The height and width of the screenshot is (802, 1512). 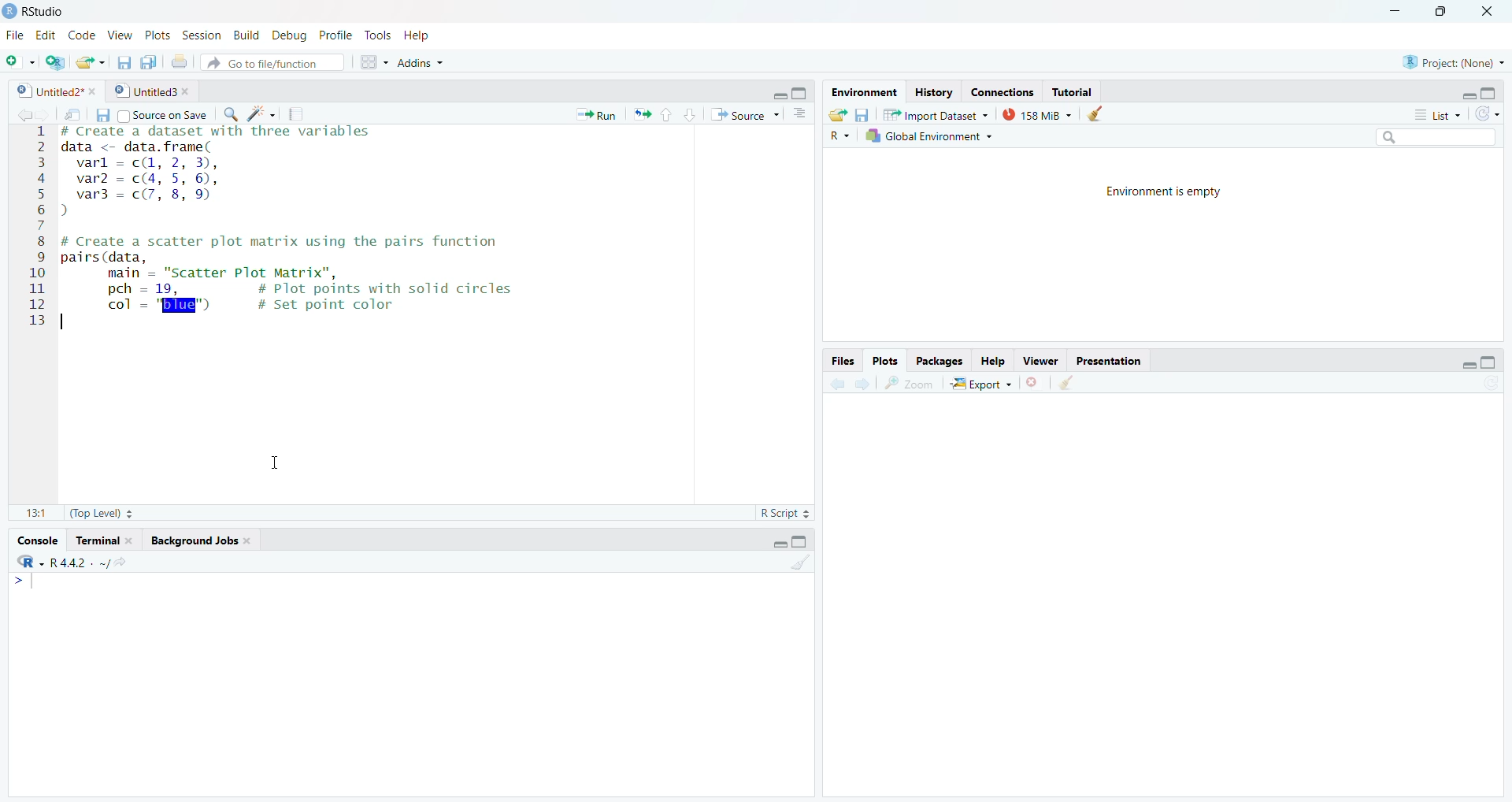 I want to click on * Run, so click(x=595, y=113).